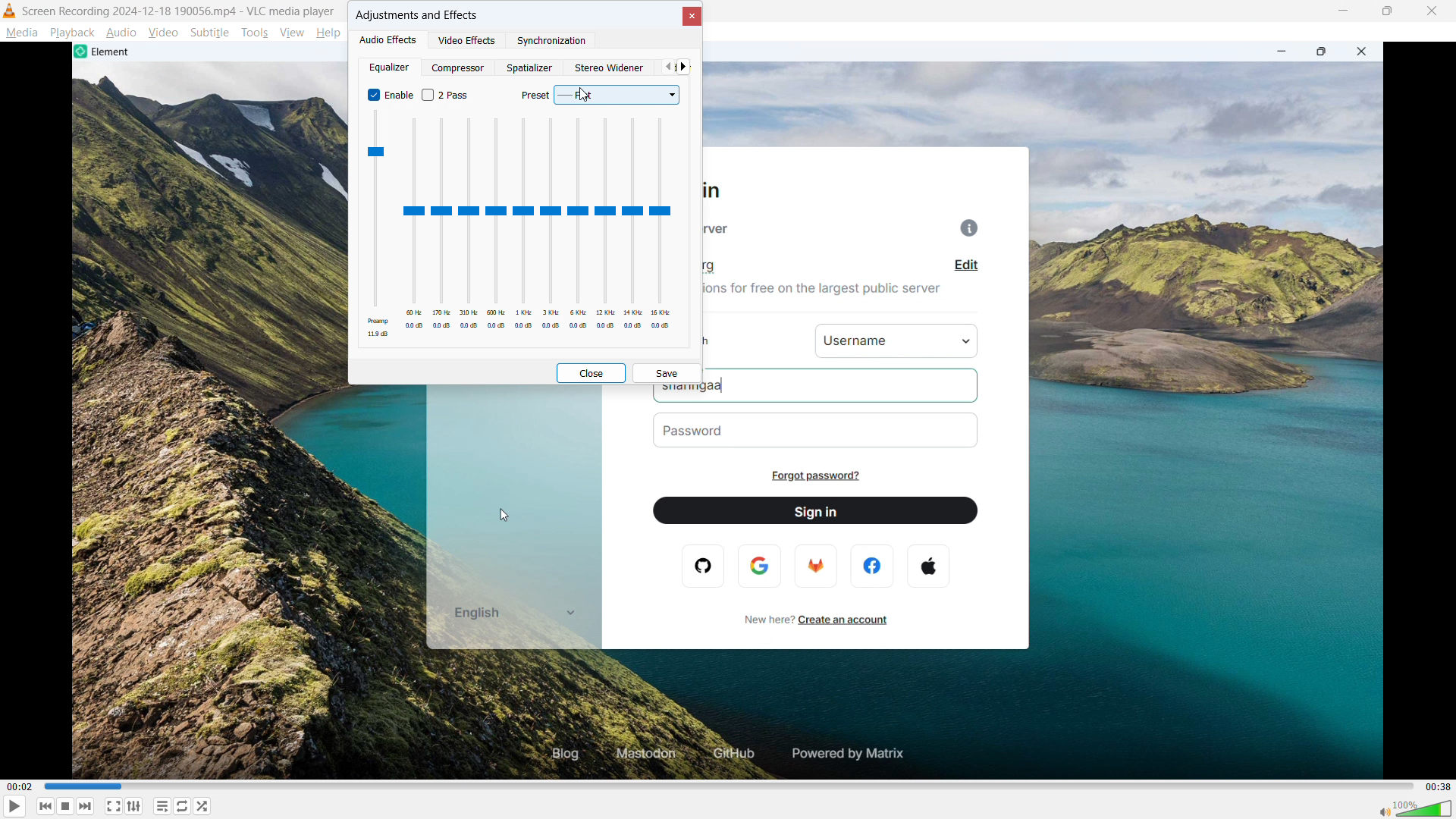 This screenshot has width=1456, height=819. I want to click on Audio effects, so click(390, 39).